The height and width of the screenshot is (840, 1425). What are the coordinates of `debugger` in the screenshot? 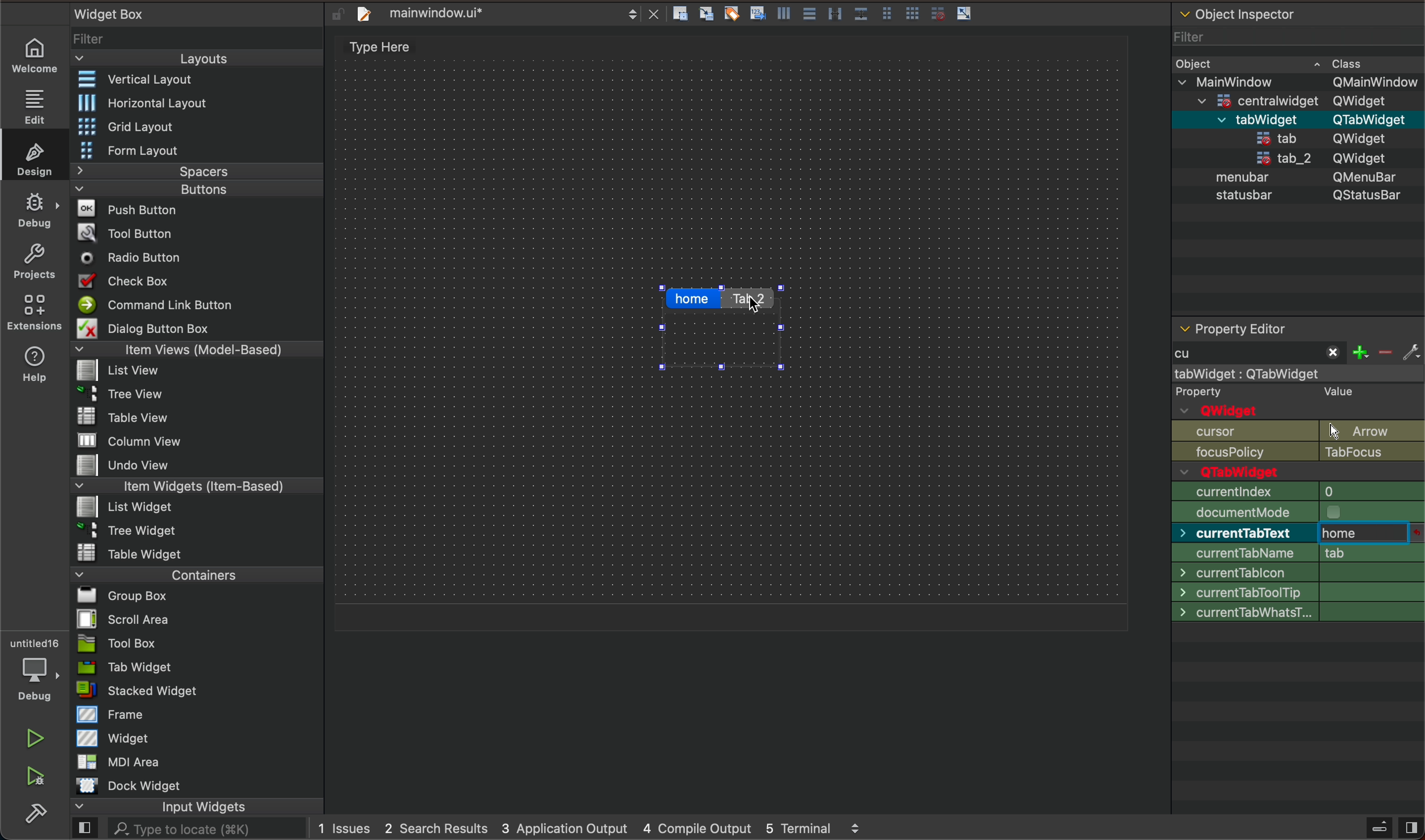 It's located at (32, 666).